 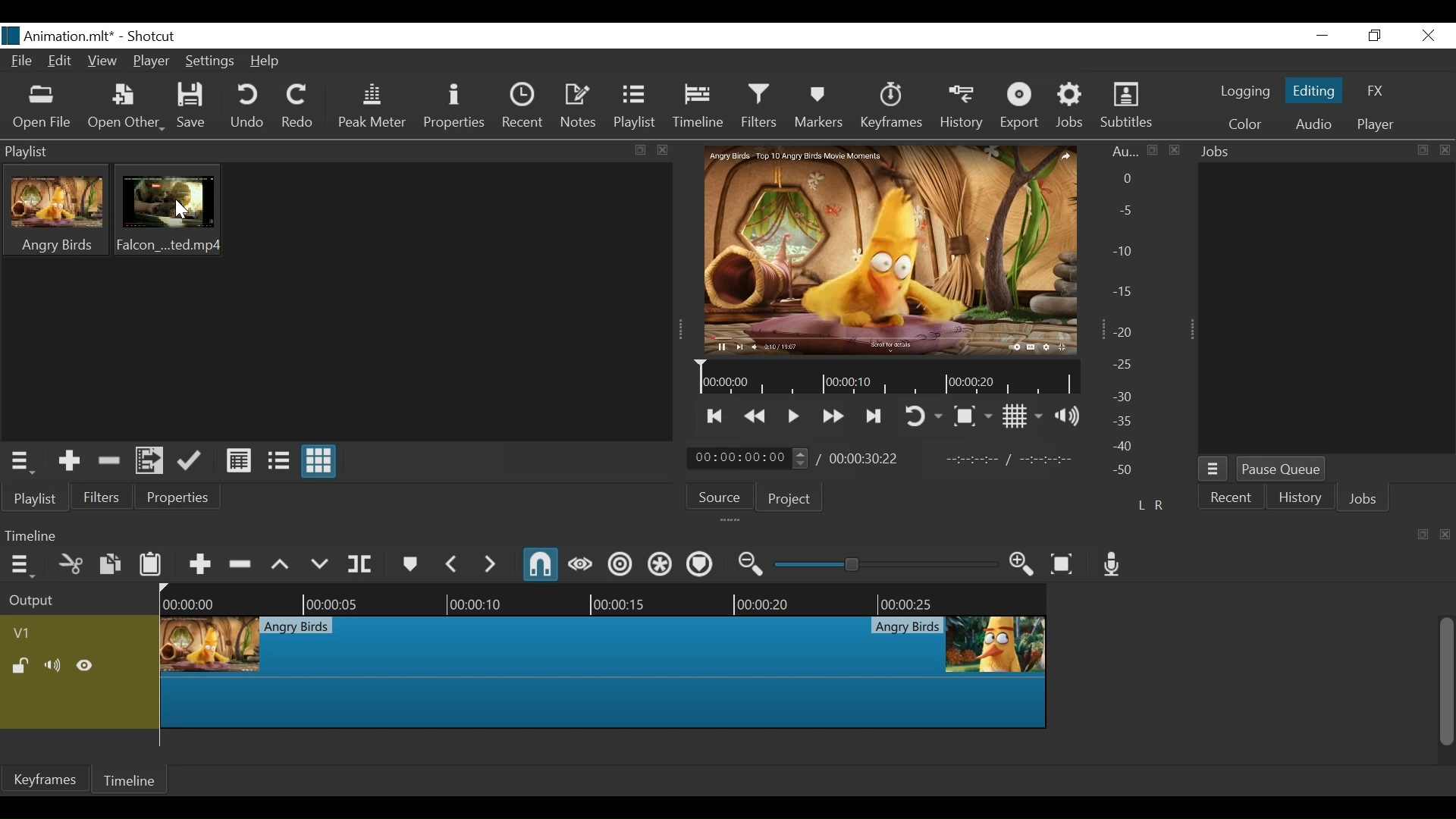 What do you see at coordinates (1248, 124) in the screenshot?
I see `Color` at bounding box center [1248, 124].